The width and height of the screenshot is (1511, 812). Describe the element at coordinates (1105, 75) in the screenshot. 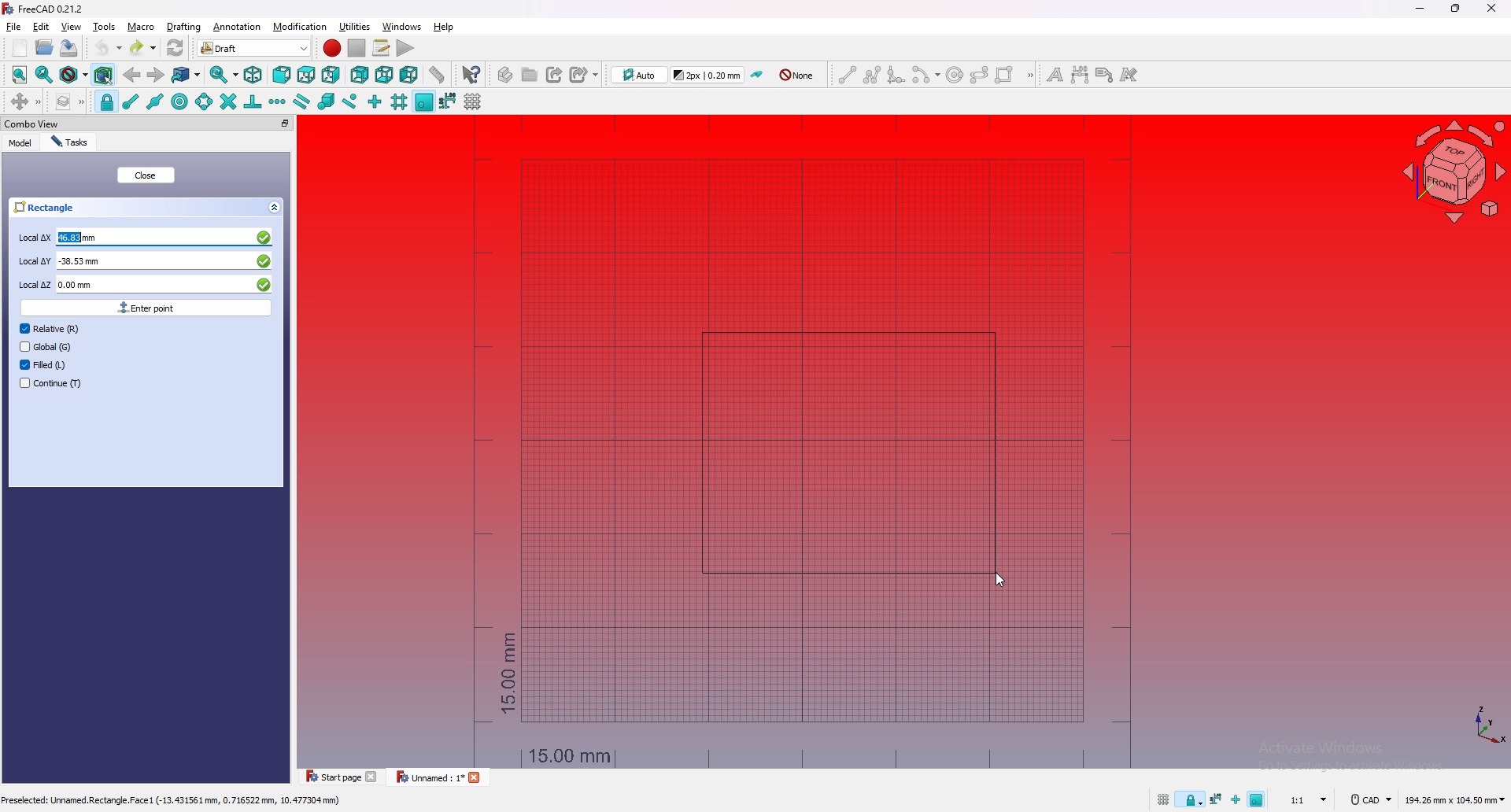

I see `label` at that location.